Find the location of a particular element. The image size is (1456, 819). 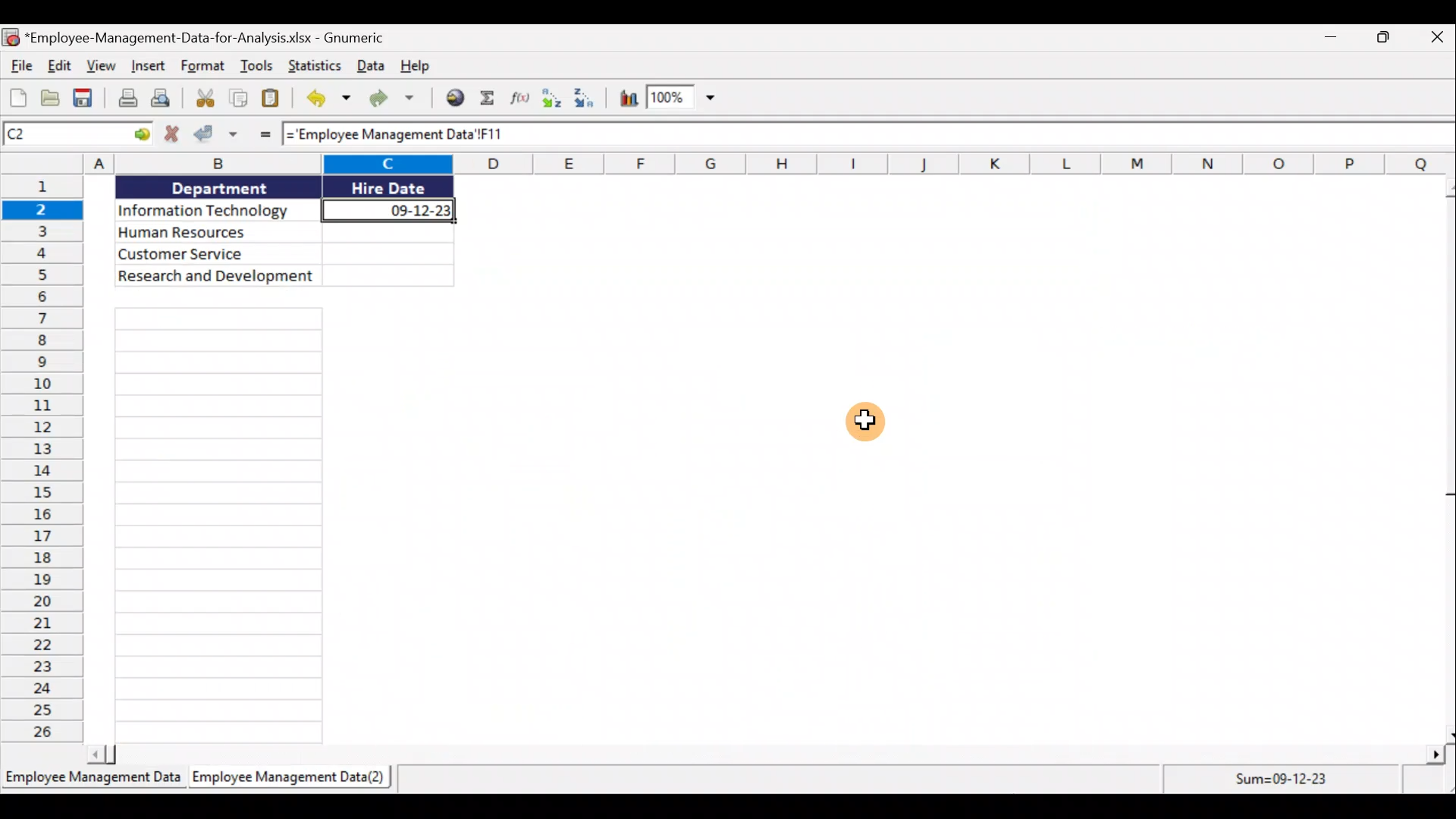

Undo last action is located at coordinates (325, 100).